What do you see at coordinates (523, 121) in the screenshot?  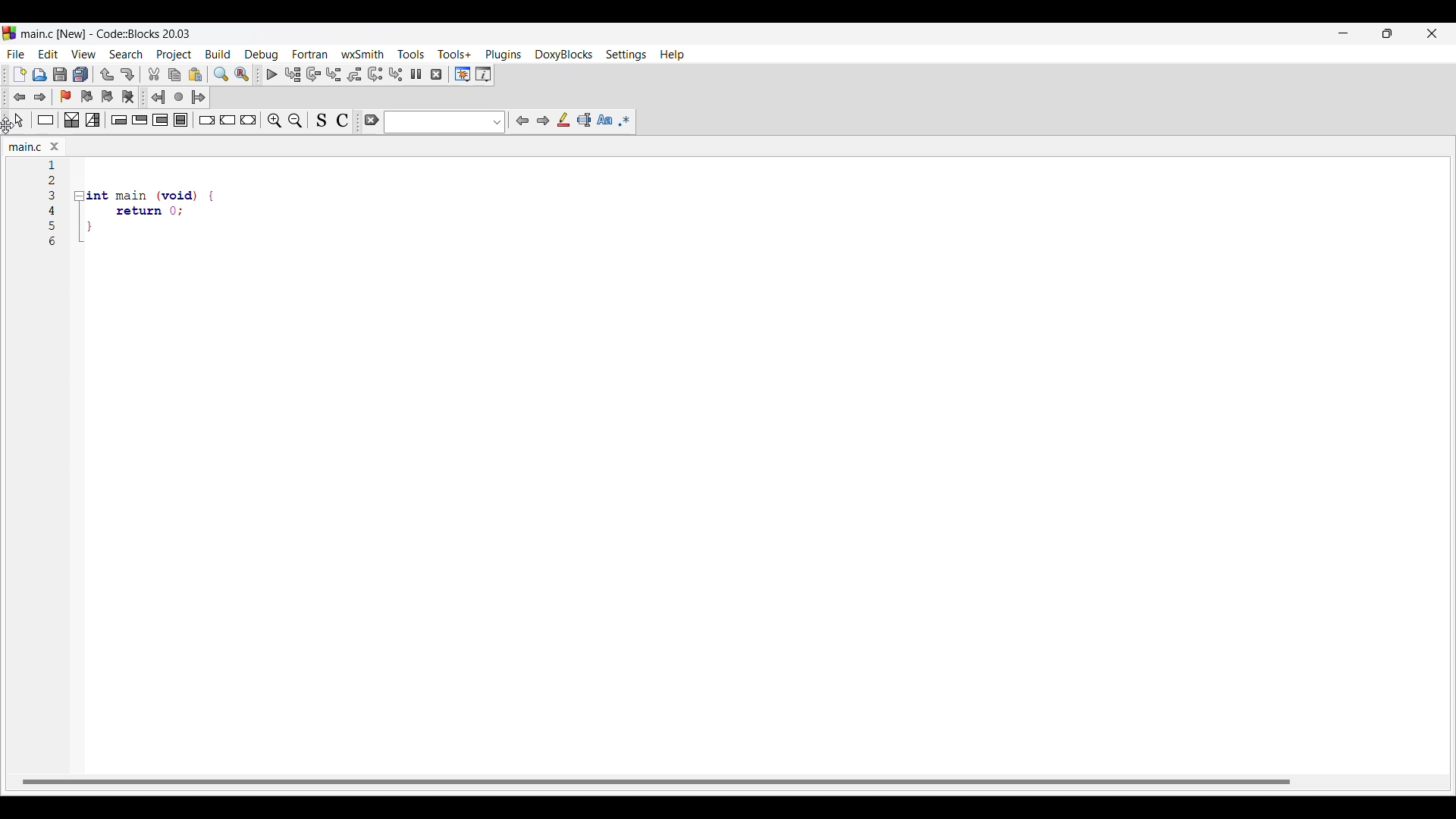 I see `Previous` at bounding box center [523, 121].